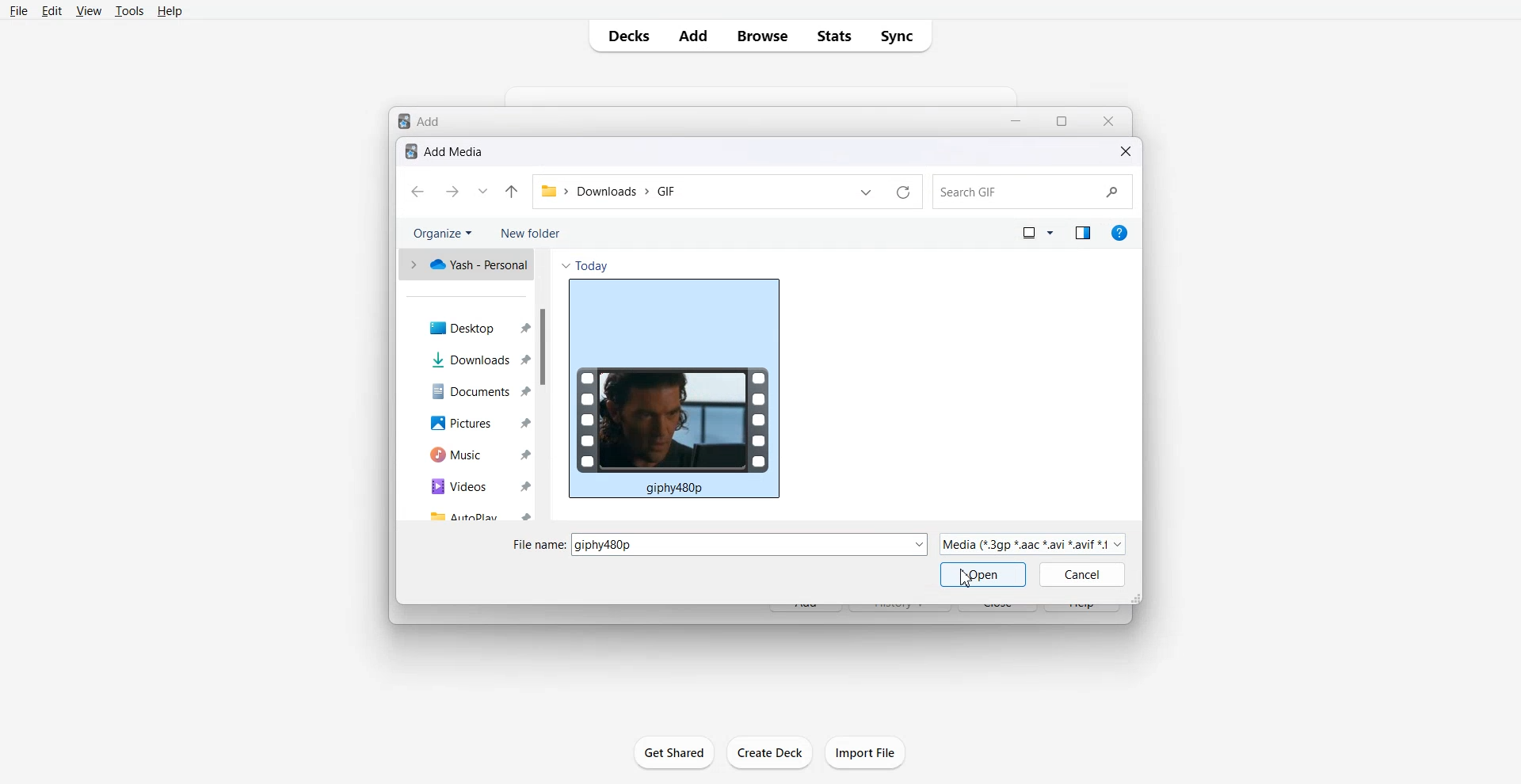 The height and width of the screenshot is (784, 1521). What do you see at coordinates (626, 36) in the screenshot?
I see `Decks` at bounding box center [626, 36].